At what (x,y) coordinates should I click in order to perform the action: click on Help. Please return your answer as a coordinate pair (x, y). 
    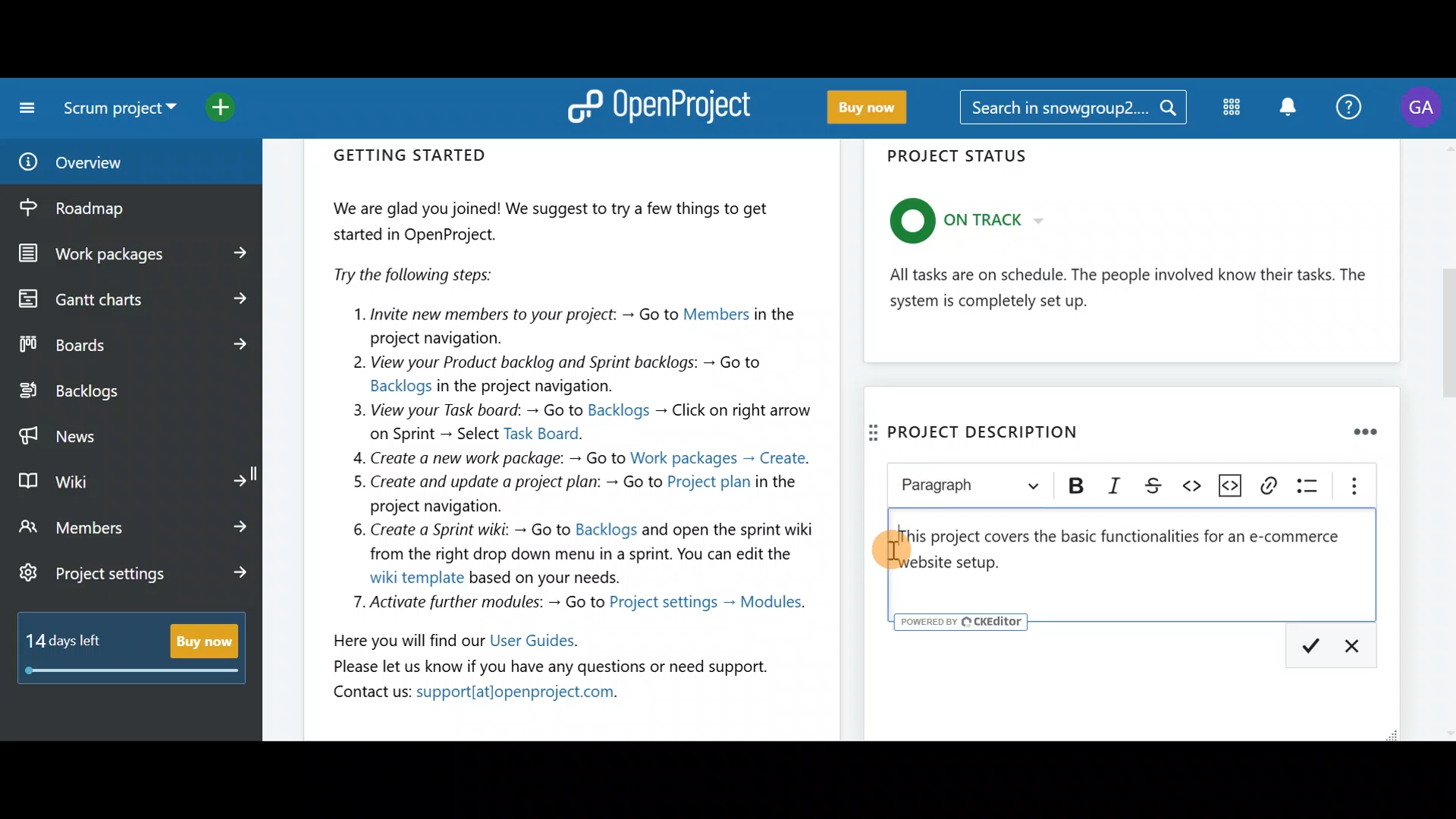
    Looking at the image, I should click on (1351, 105).